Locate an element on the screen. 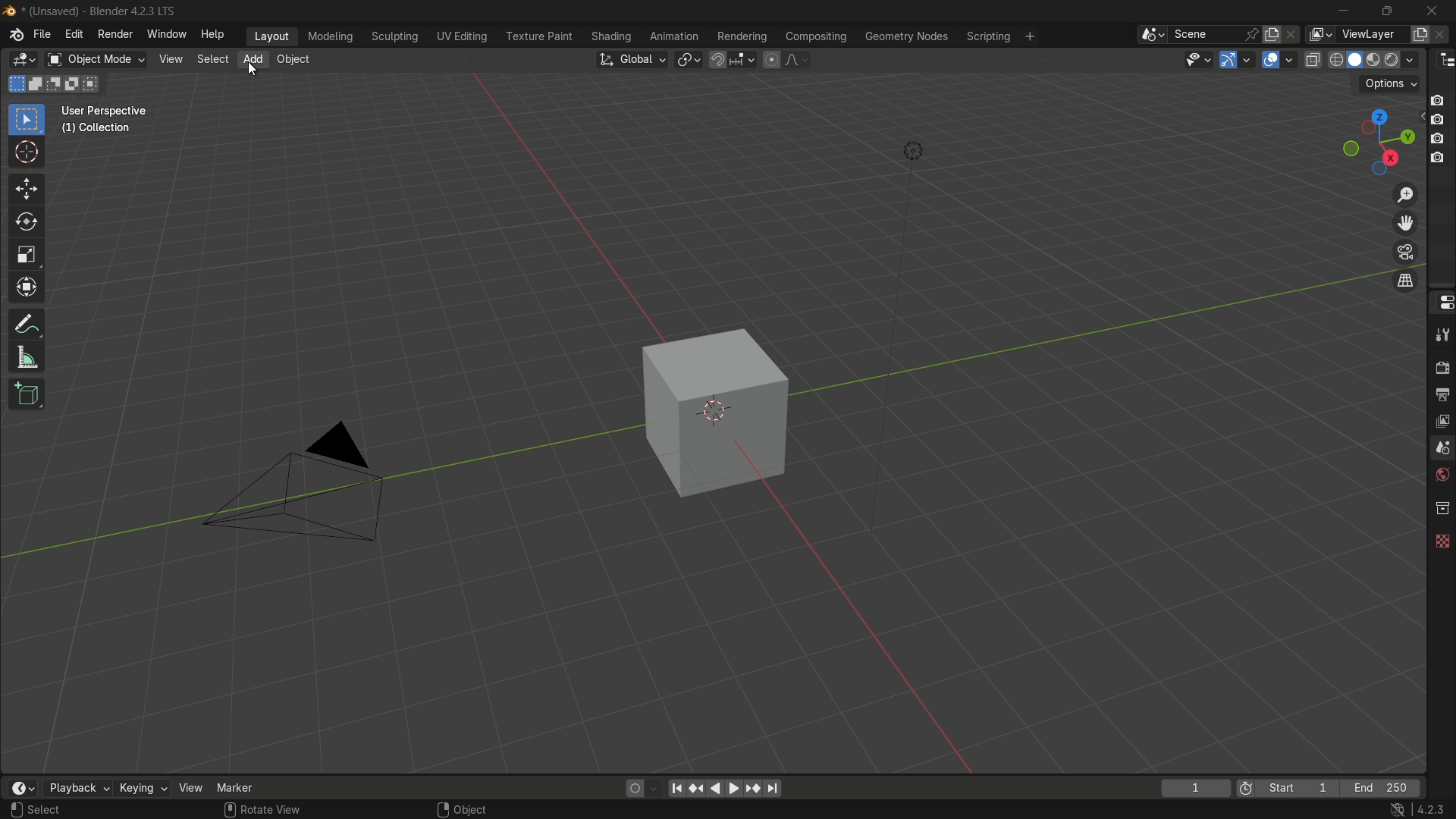  camera is located at coordinates (311, 482).